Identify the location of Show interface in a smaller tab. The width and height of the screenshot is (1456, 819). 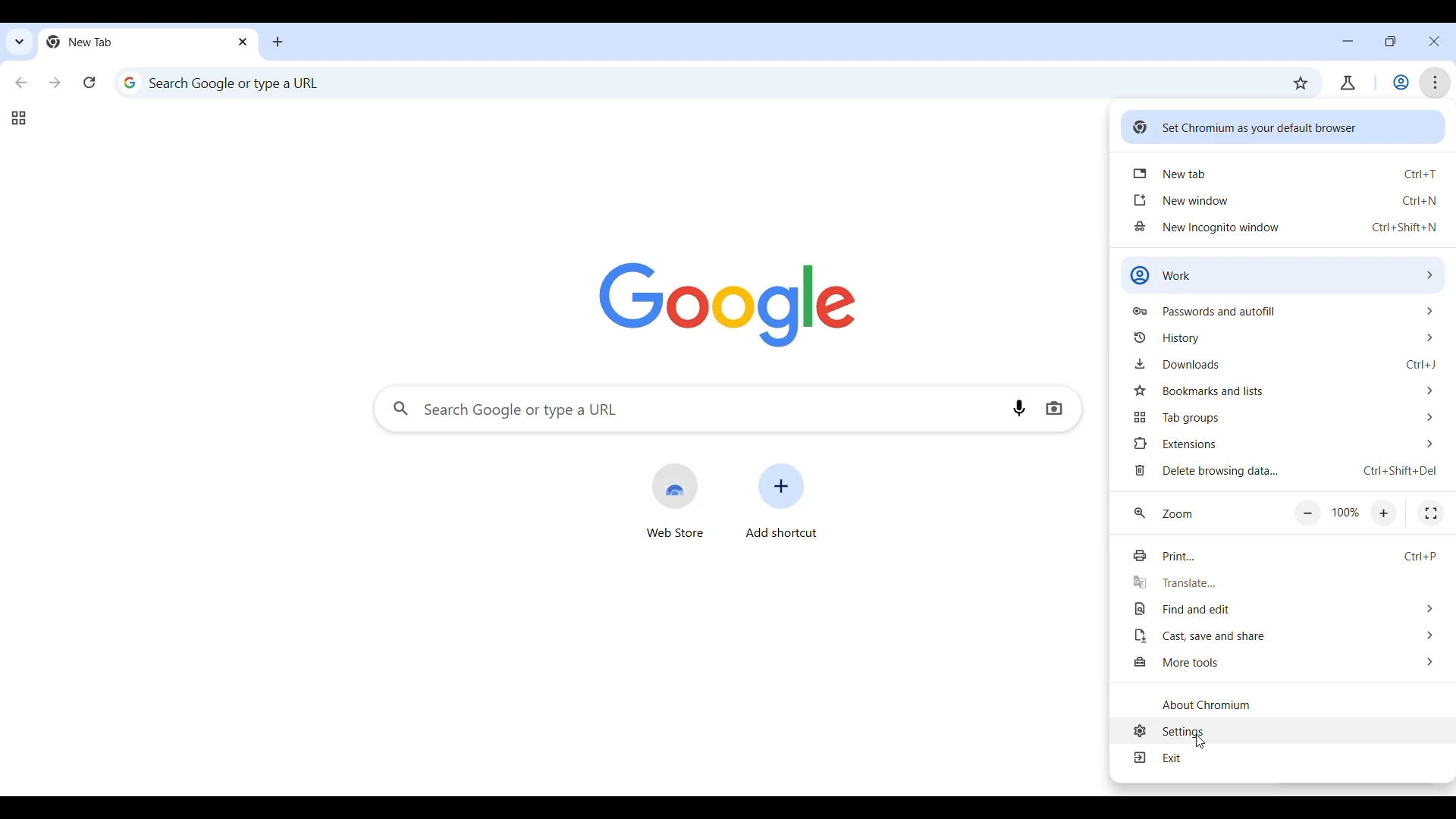
(1387, 44).